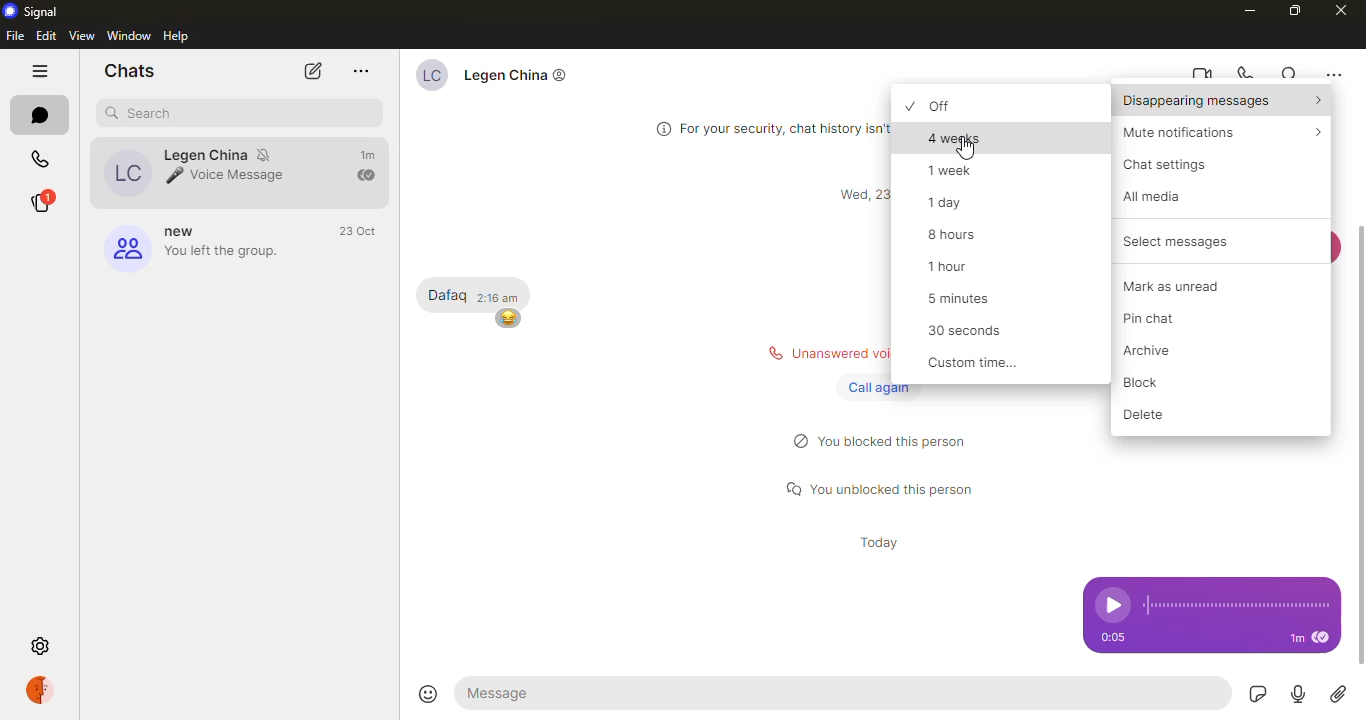  I want to click on stories, so click(51, 202).